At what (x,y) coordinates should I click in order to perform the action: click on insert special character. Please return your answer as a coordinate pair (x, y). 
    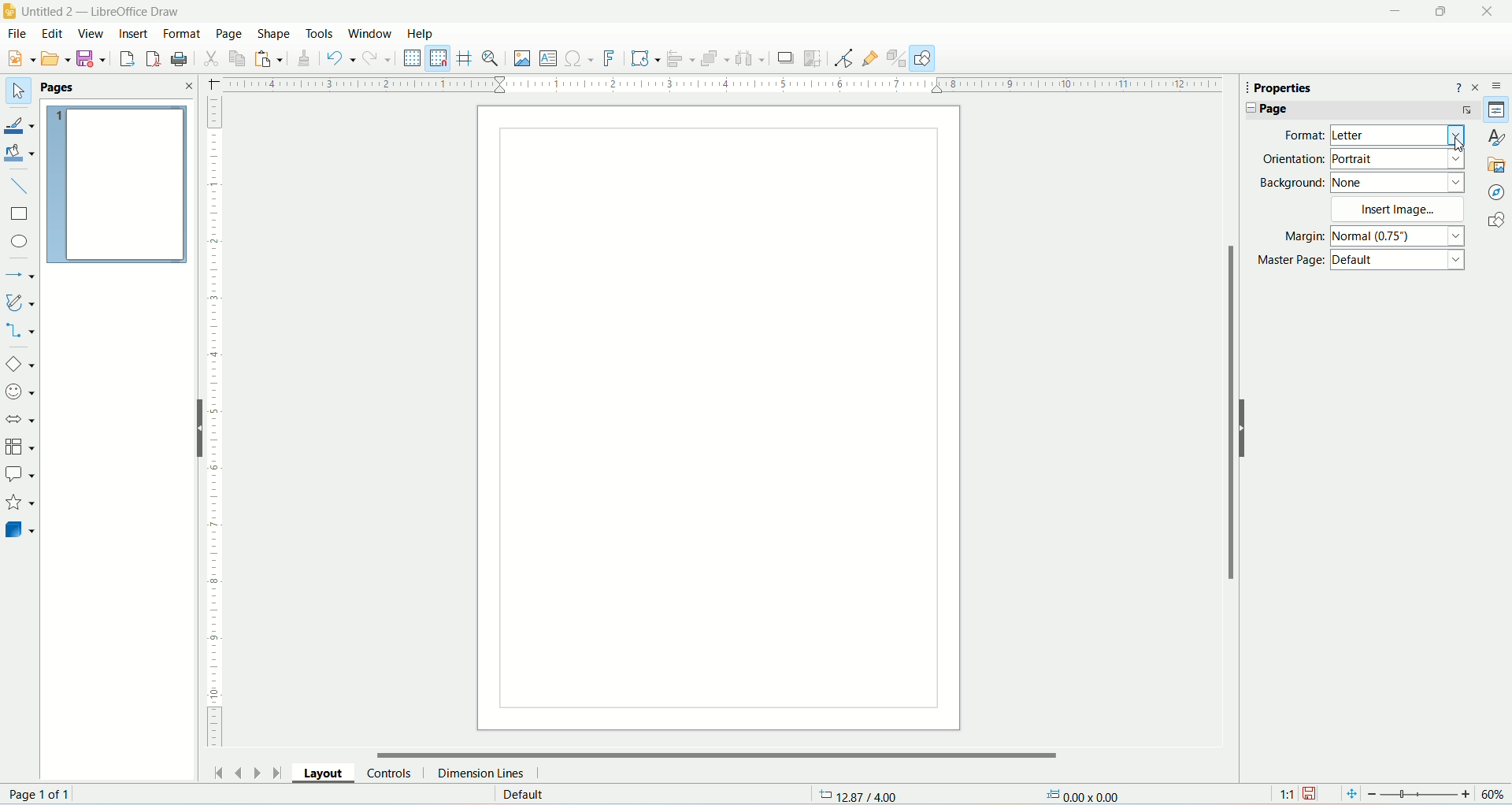
    Looking at the image, I should click on (577, 59).